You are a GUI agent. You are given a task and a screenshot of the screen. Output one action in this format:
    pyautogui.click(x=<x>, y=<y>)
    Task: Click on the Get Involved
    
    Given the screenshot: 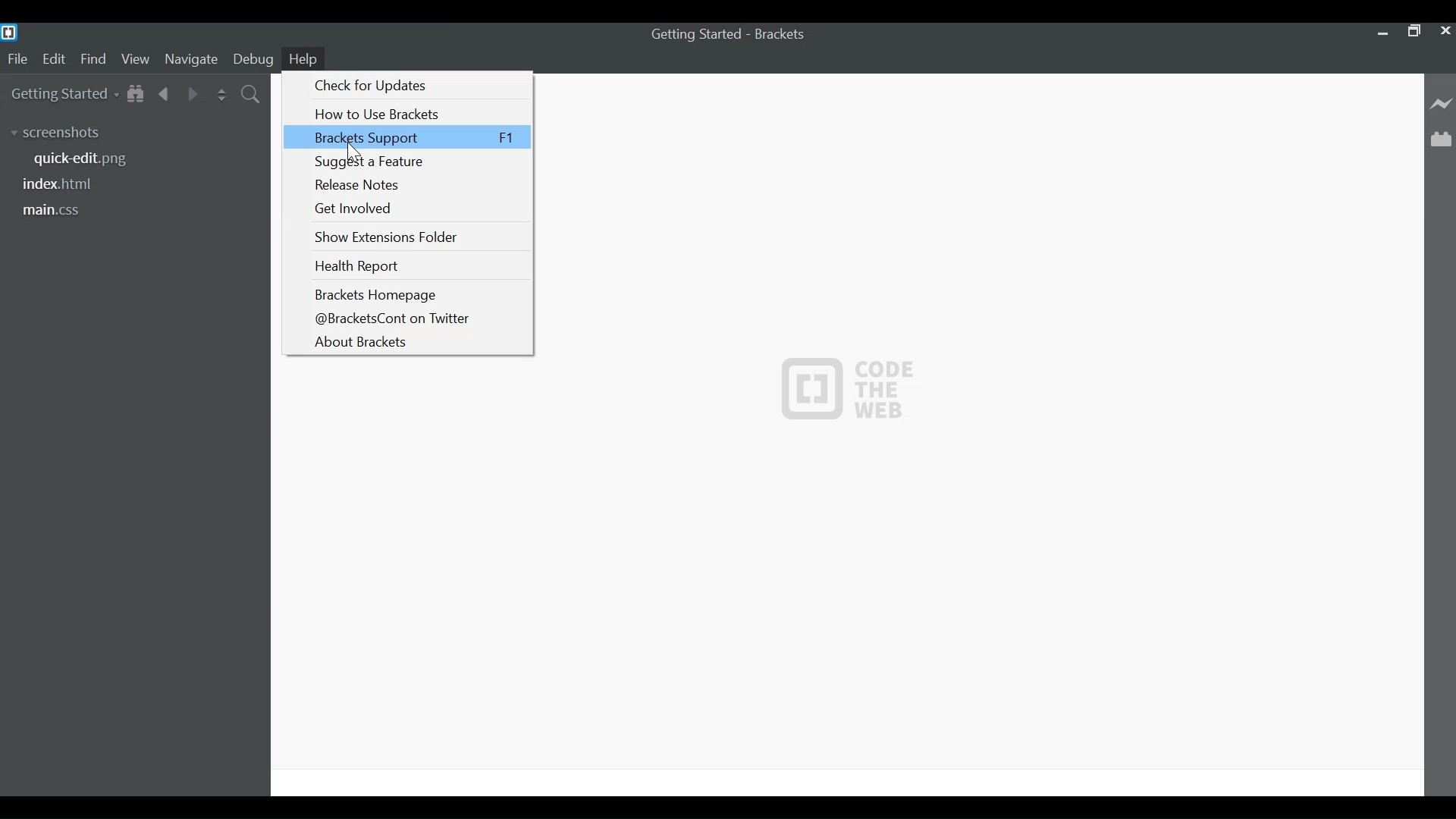 What is the action you would take?
    pyautogui.click(x=416, y=208)
    